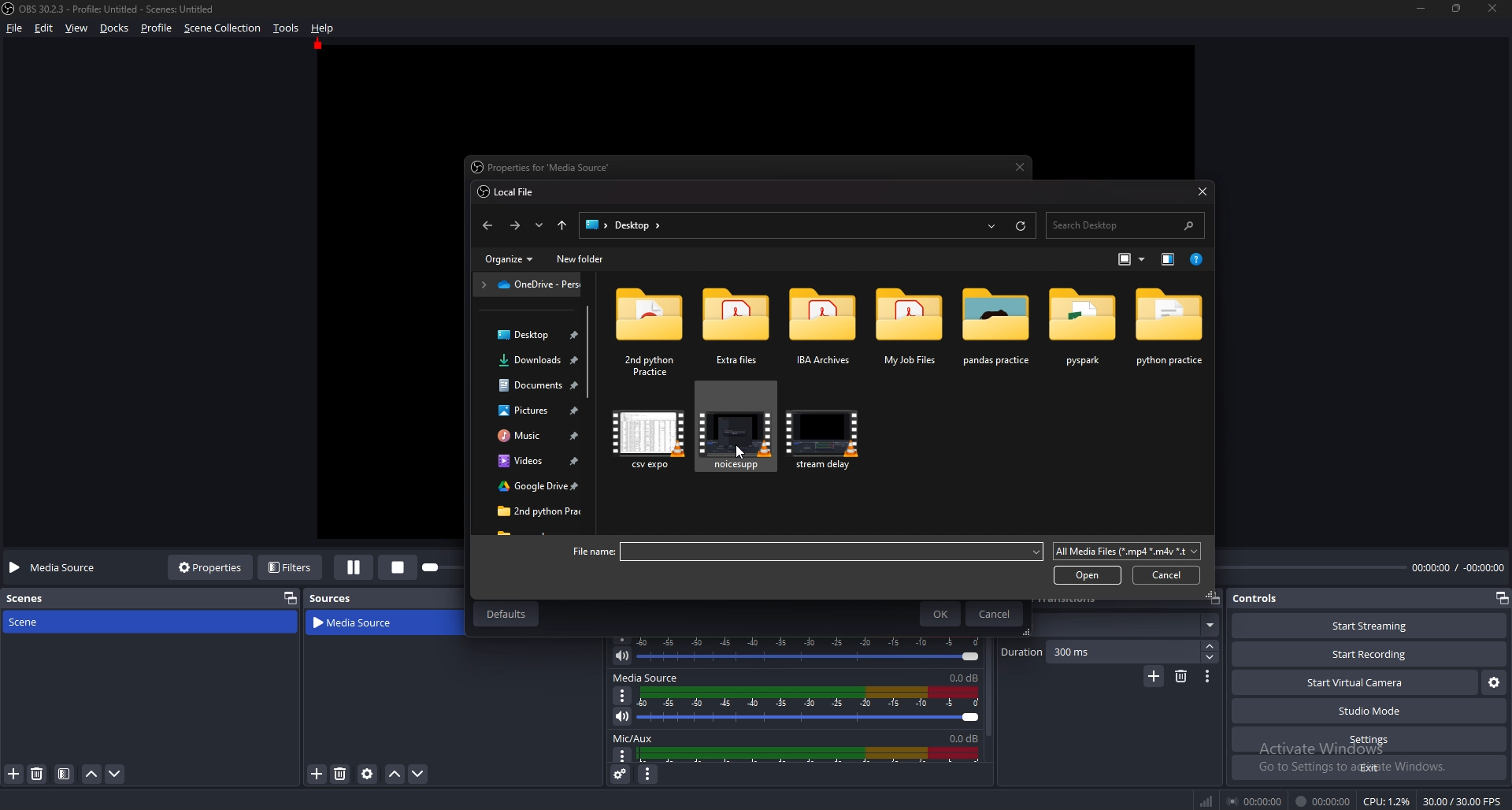  Describe the element at coordinates (534, 411) in the screenshot. I see `folder` at that location.